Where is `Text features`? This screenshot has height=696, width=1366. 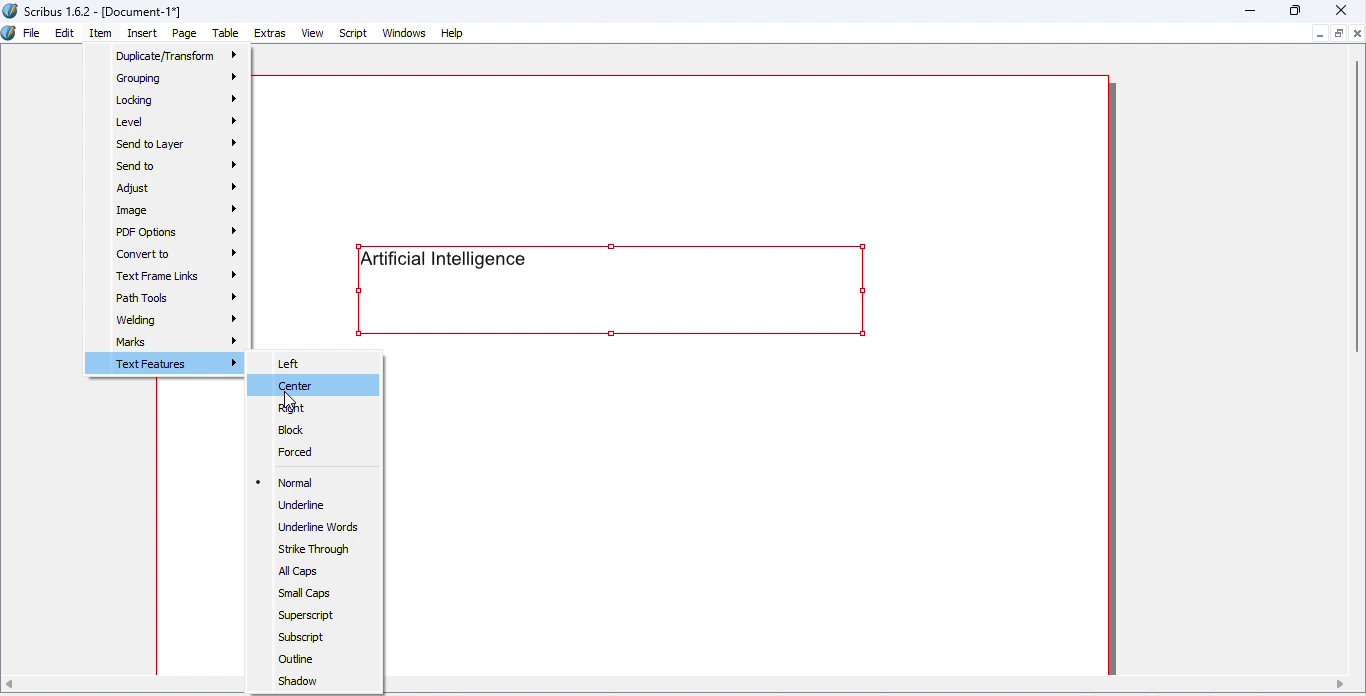
Text features is located at coordinates (165, 364).